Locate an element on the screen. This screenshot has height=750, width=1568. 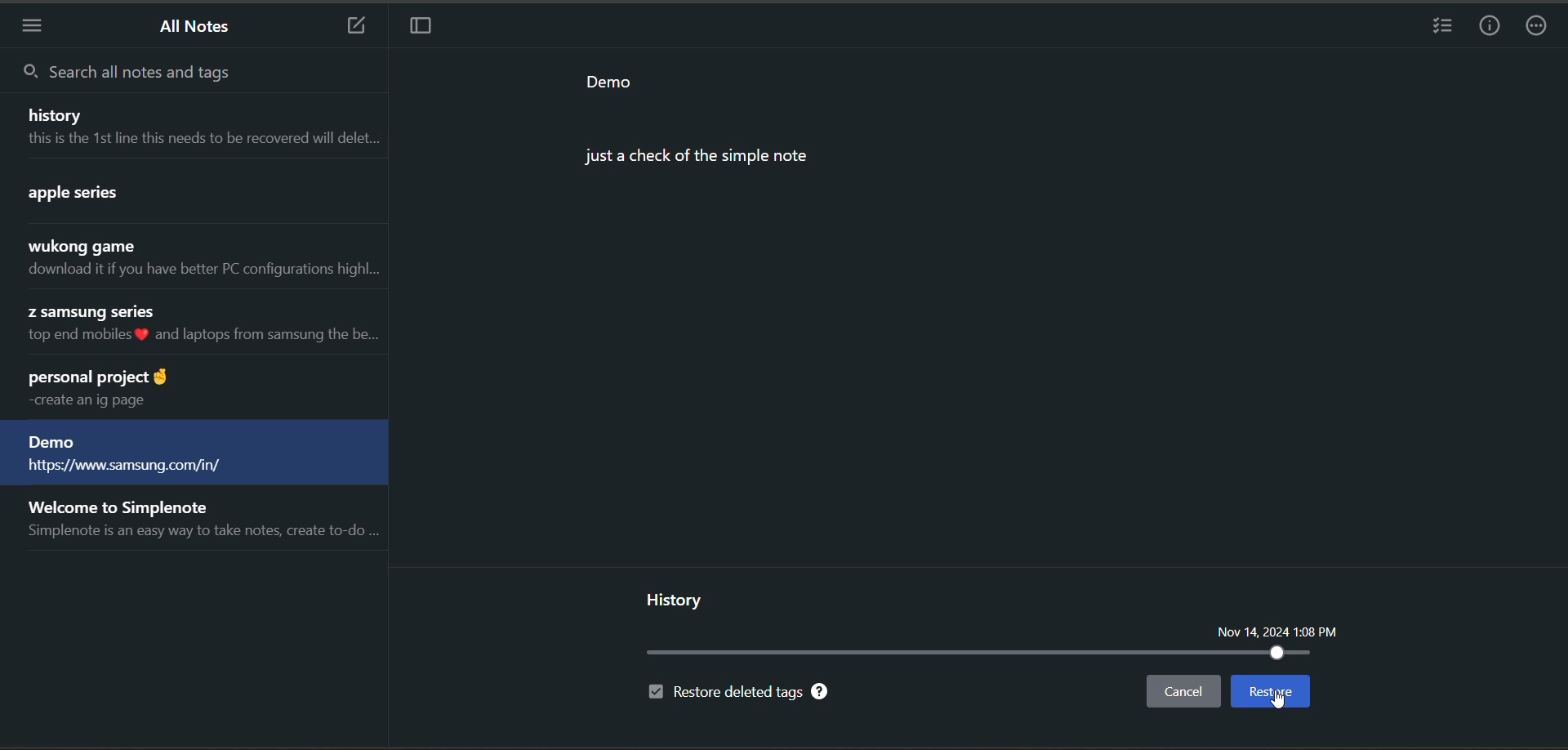
toggle focus mode is located at coordinates (419, 28).